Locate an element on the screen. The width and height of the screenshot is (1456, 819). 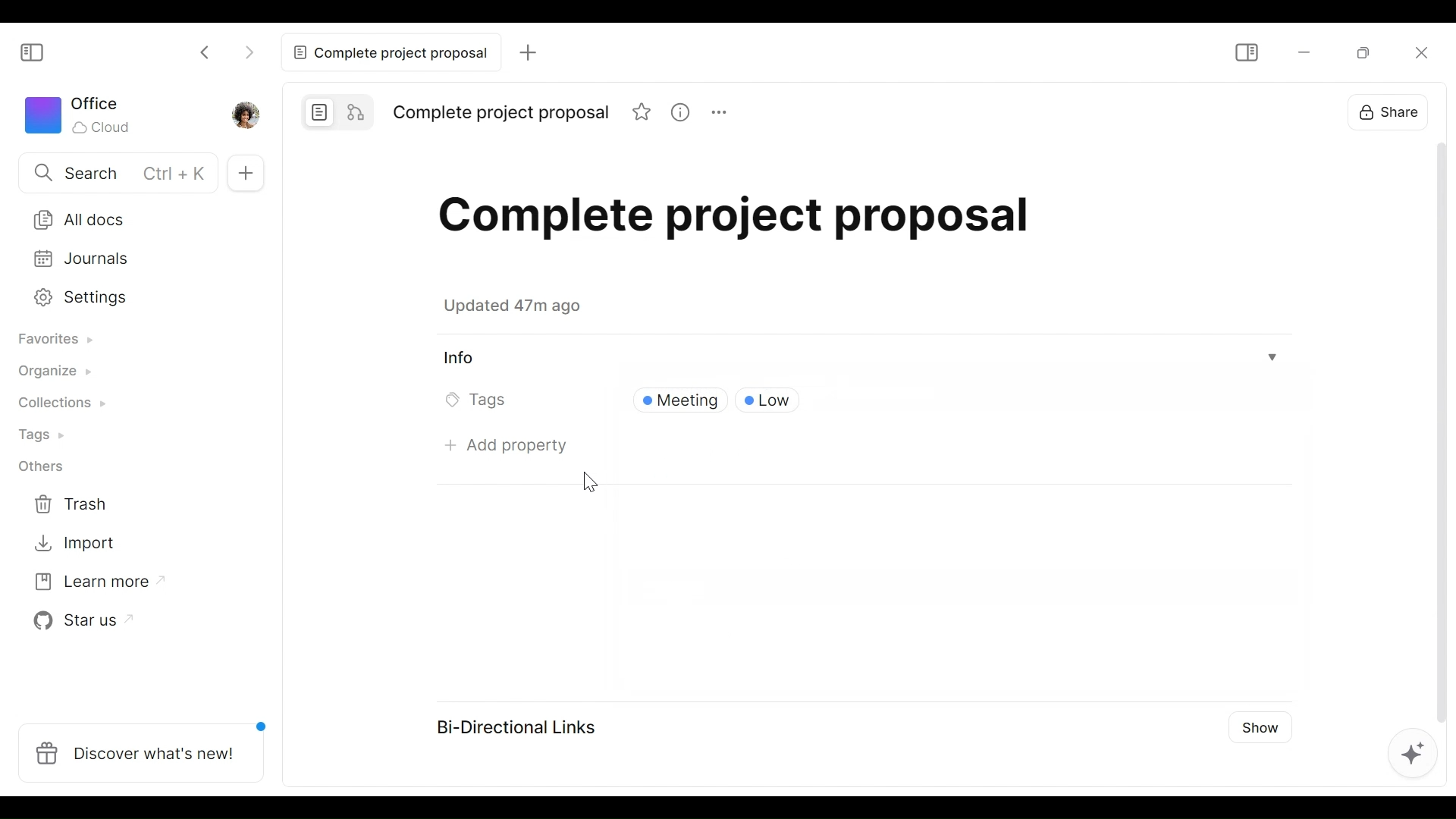
Page mode is located at coordinates (316, 110).